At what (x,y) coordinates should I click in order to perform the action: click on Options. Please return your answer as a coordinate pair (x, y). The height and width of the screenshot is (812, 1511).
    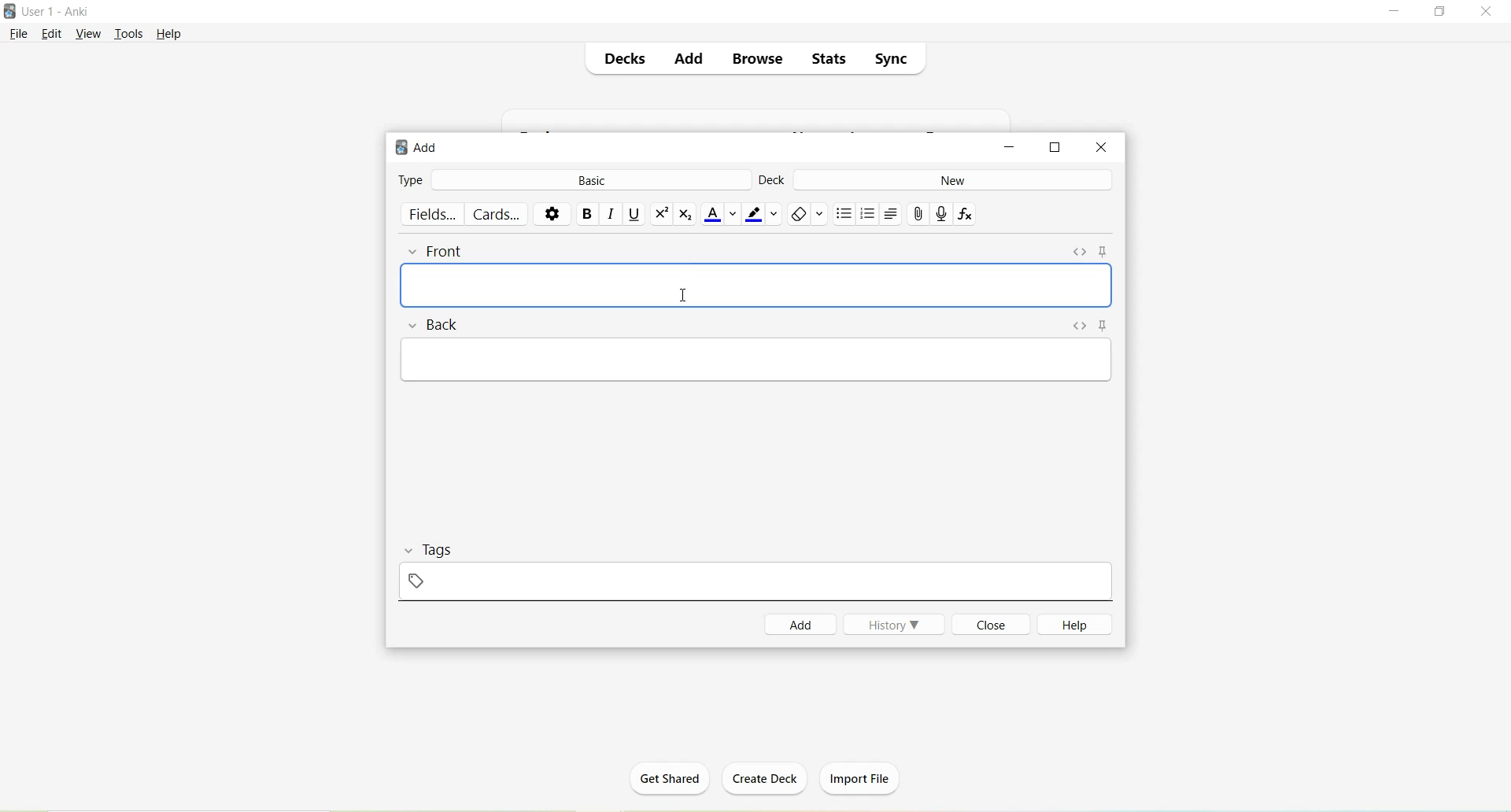
    Looking at the image, I should click on (551, 214).